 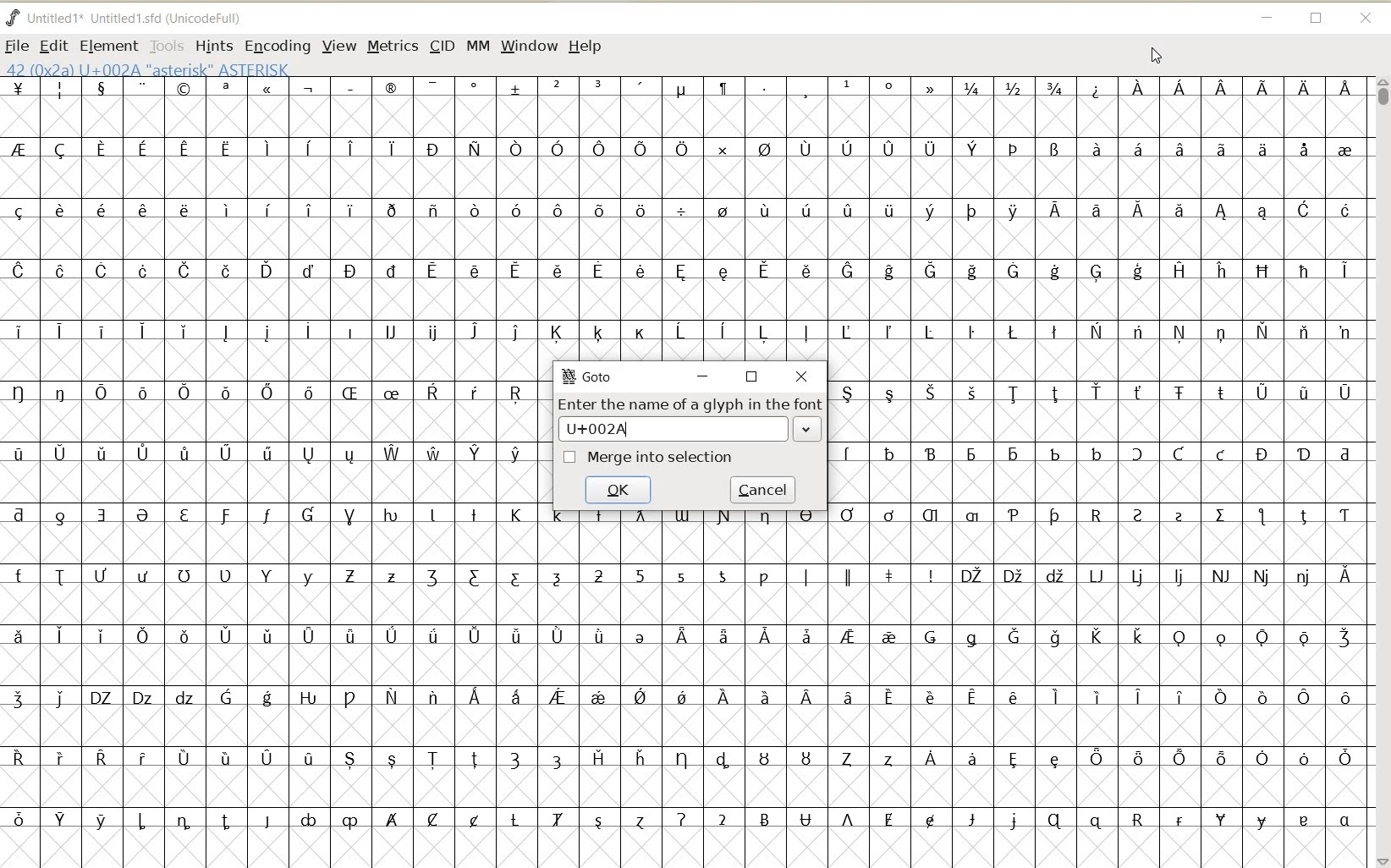 I want to click on TOOLS, so click(x=166, y=46).